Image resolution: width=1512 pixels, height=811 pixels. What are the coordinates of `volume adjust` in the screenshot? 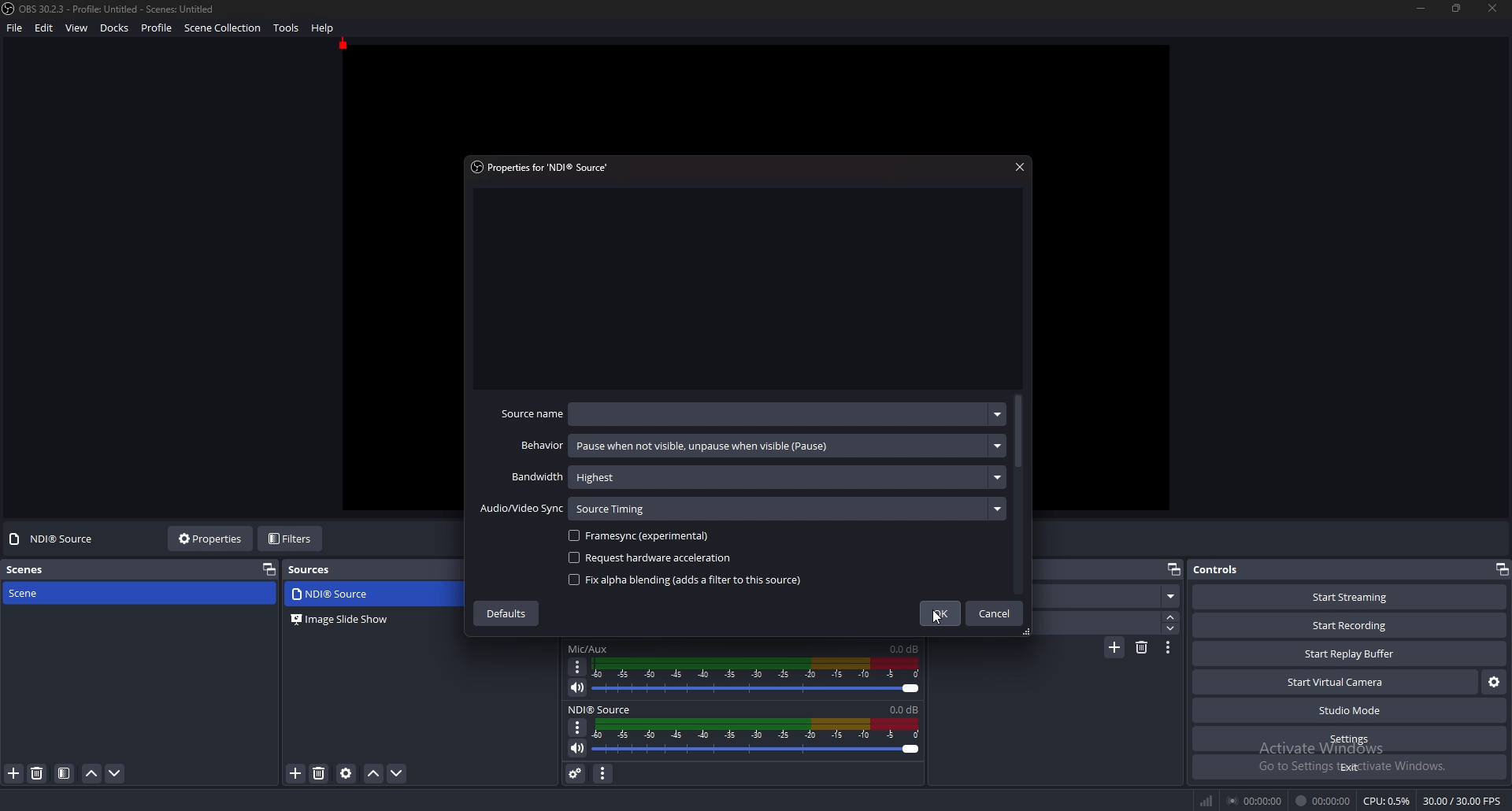 It's located at (757, 678).